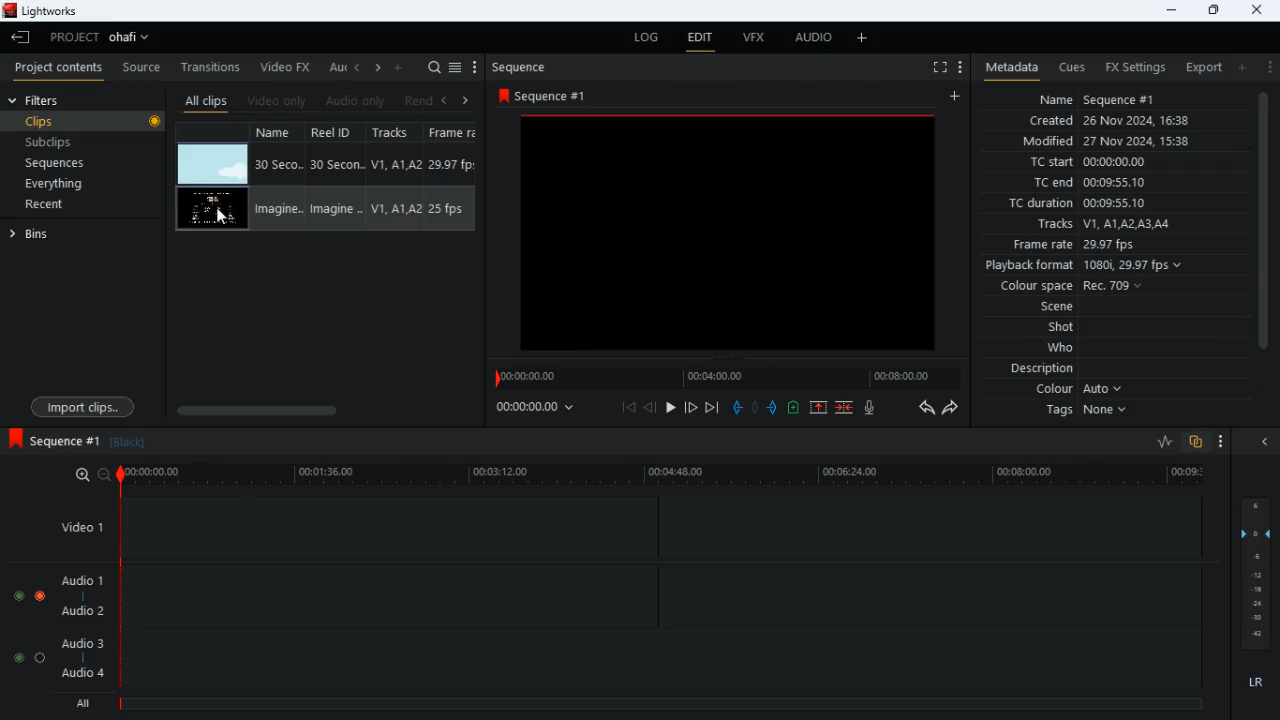  I want to click on scene, so click(1046, 308).